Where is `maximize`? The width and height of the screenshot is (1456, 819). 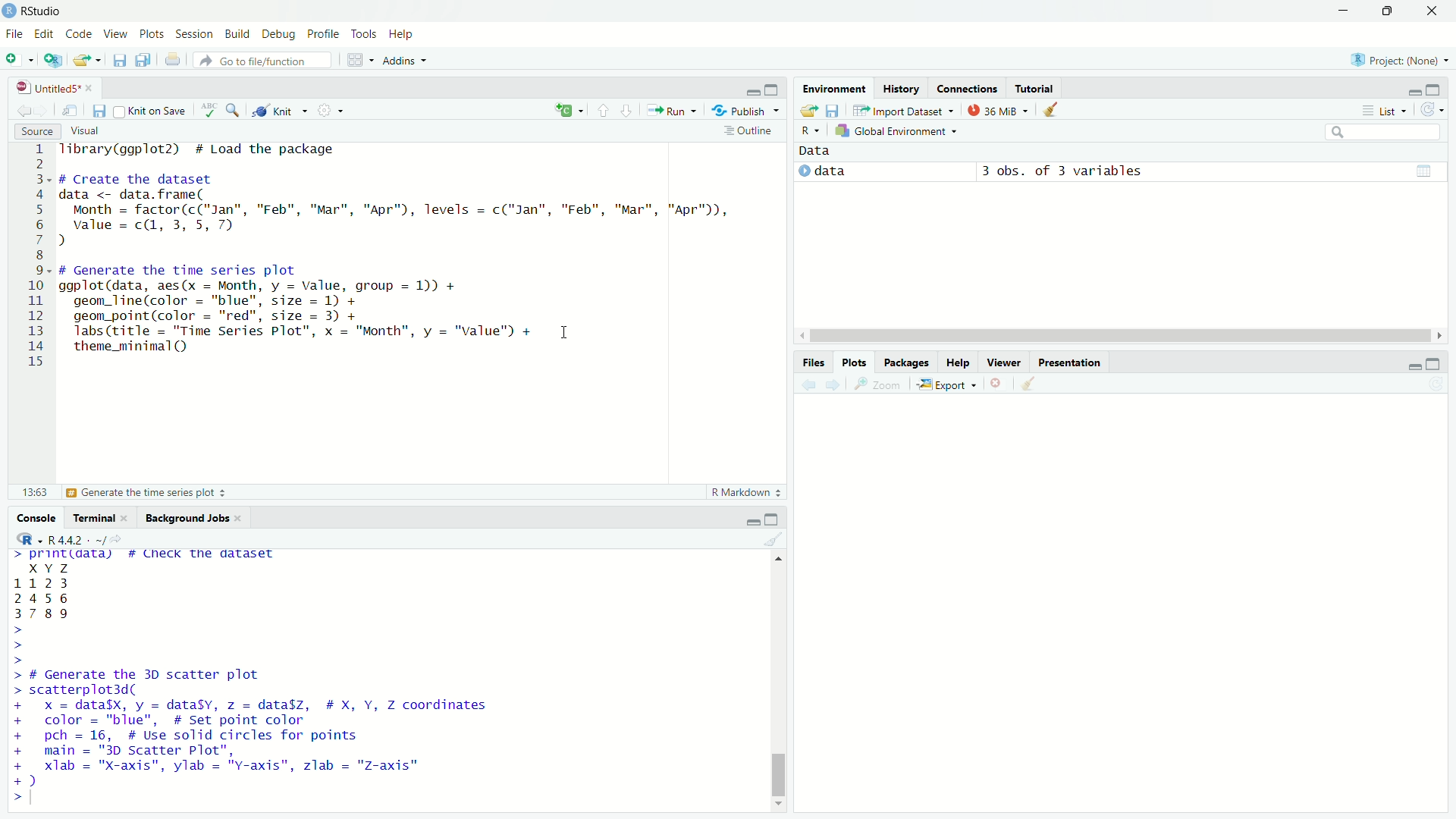
maximize is located at coordinates (772, 519).